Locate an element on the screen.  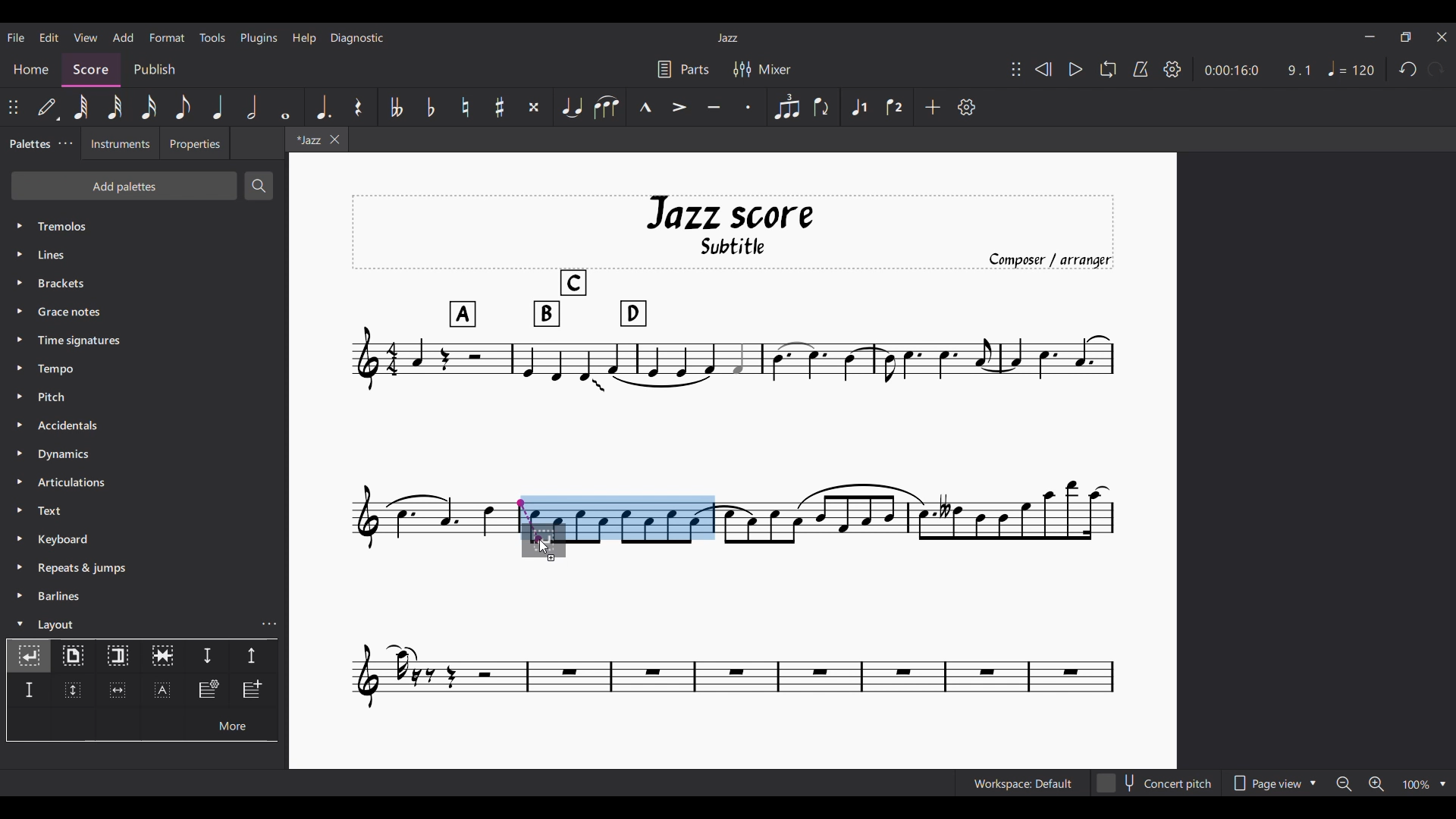
Current score is located at coordinates (431, 529).